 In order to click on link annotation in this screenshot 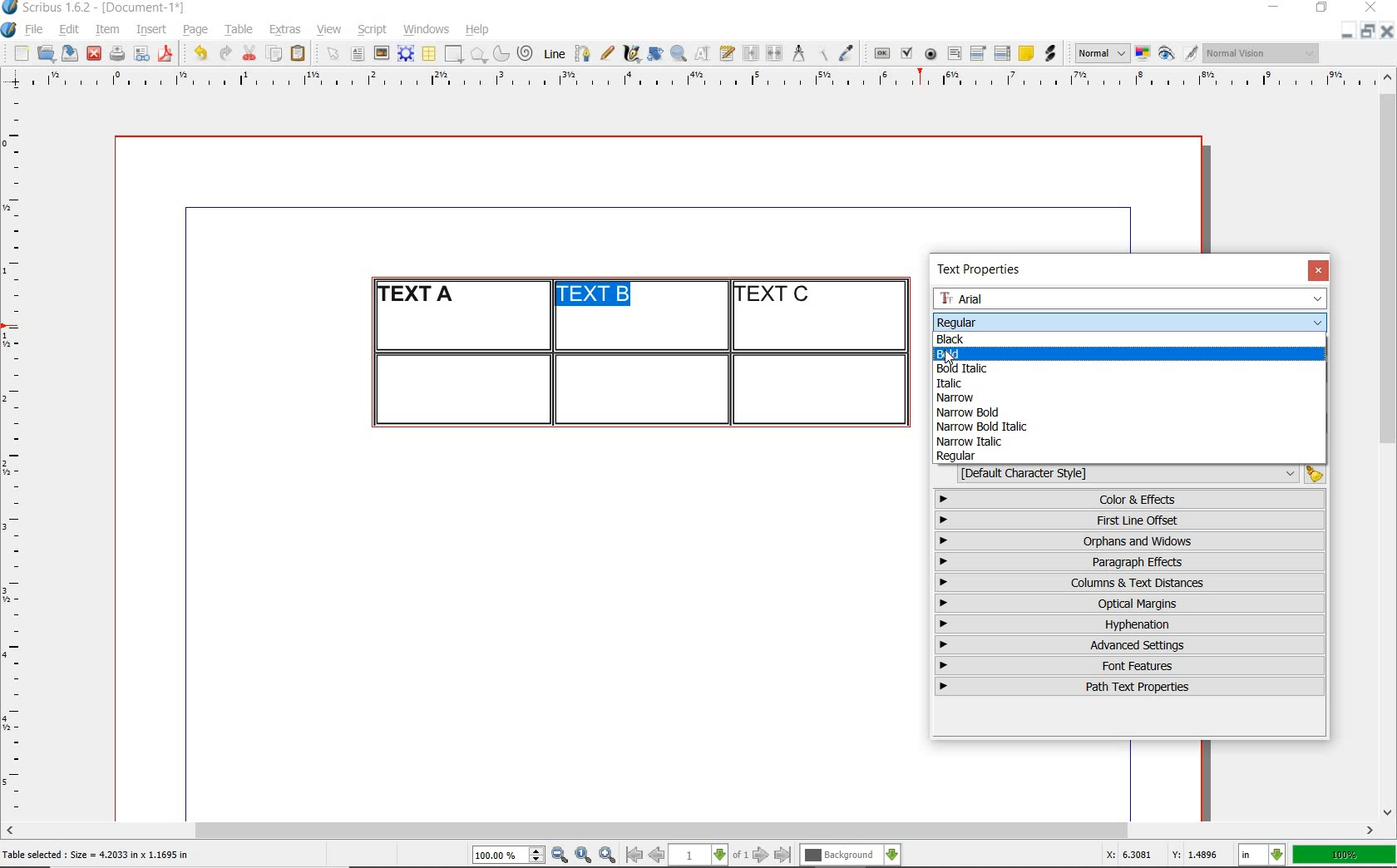, I will do `click(1052, 53)`.